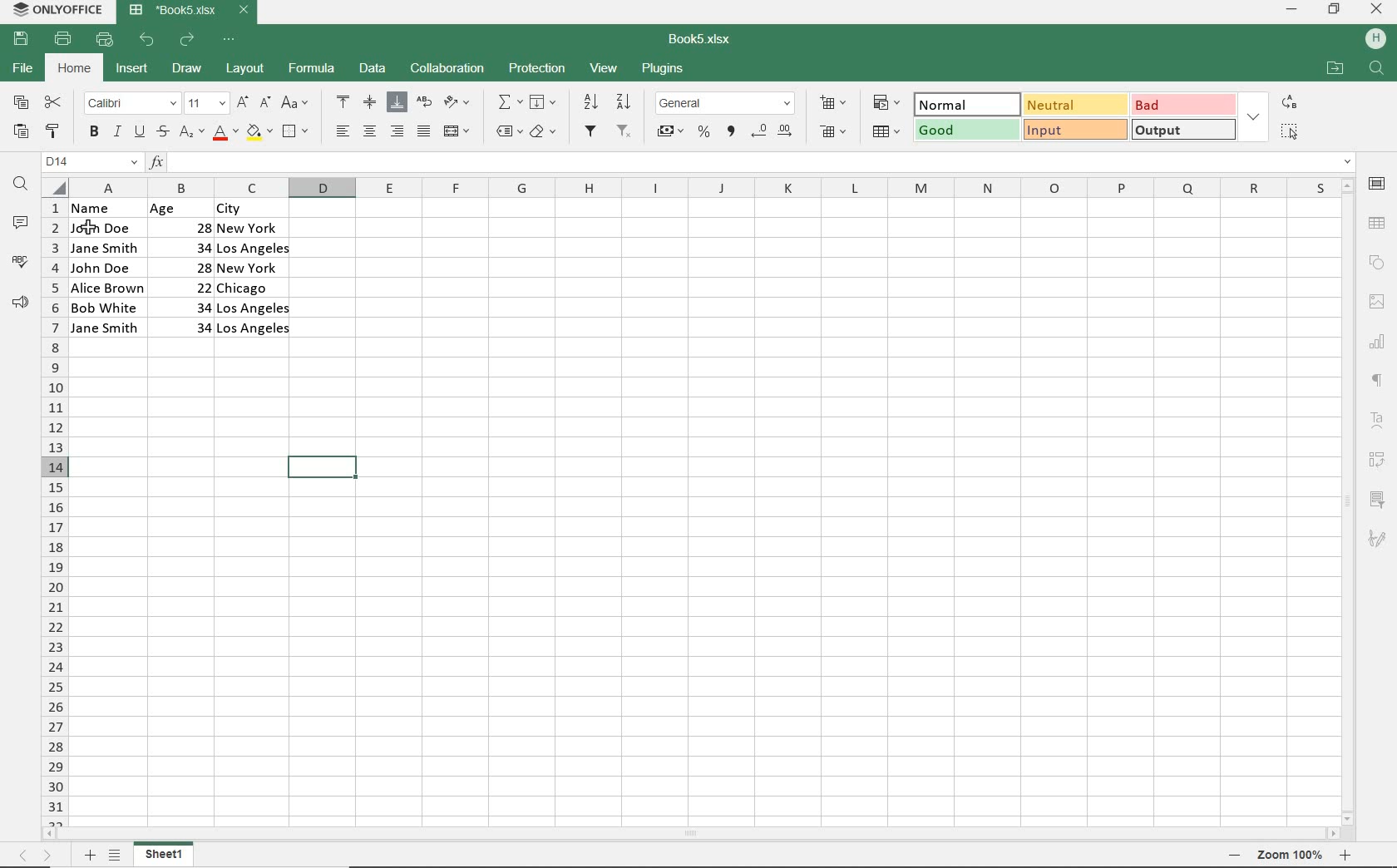 The image size is (1397, 868). Describe the element at coordinates (510, 101) in the screenshot. I see `INSERT FUNCTION` at that location.